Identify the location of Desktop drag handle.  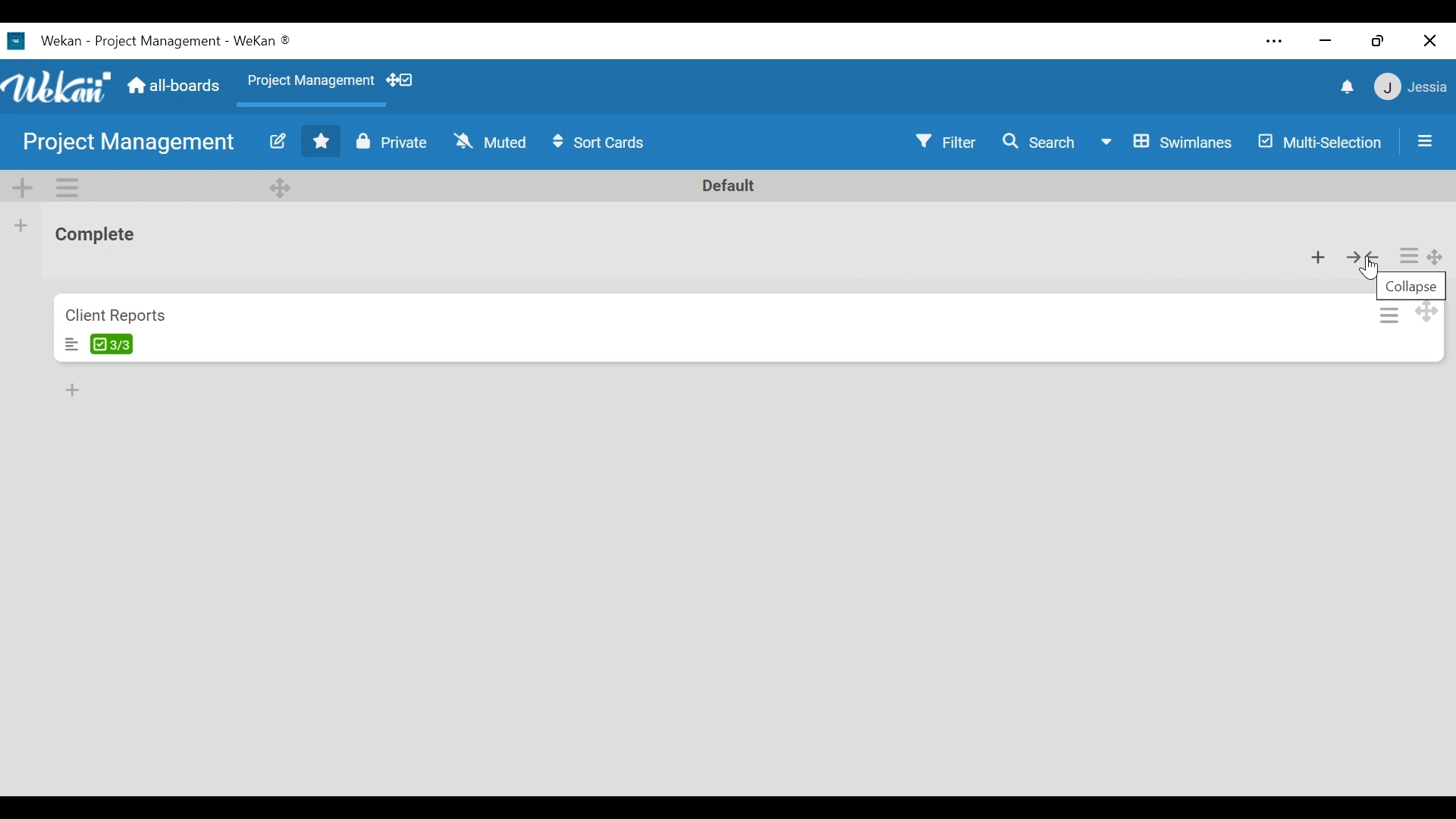
(1423, 311).